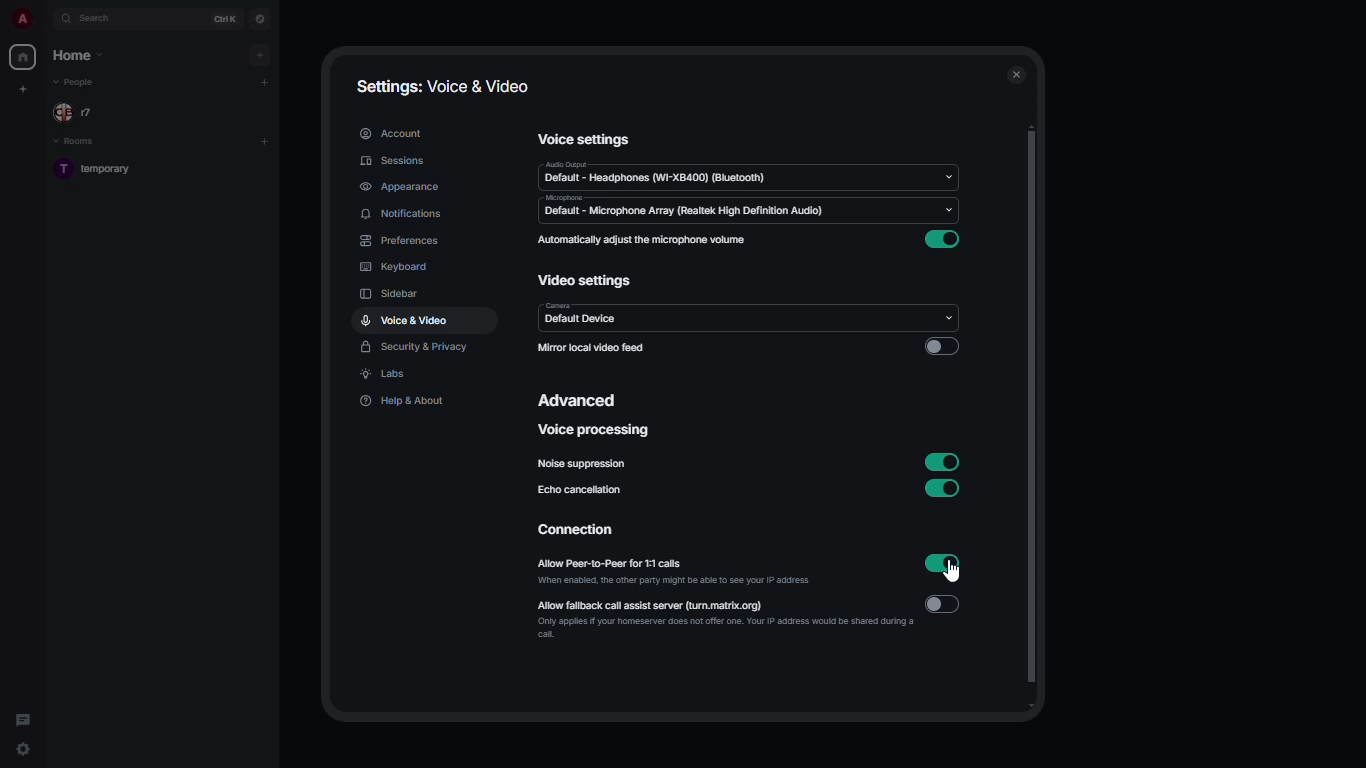 Image resolution: width=1366 pixels, height=768 pixels. Describe the element at coordinates (581, 399) in the screenshot. I see `advanced` at that location.